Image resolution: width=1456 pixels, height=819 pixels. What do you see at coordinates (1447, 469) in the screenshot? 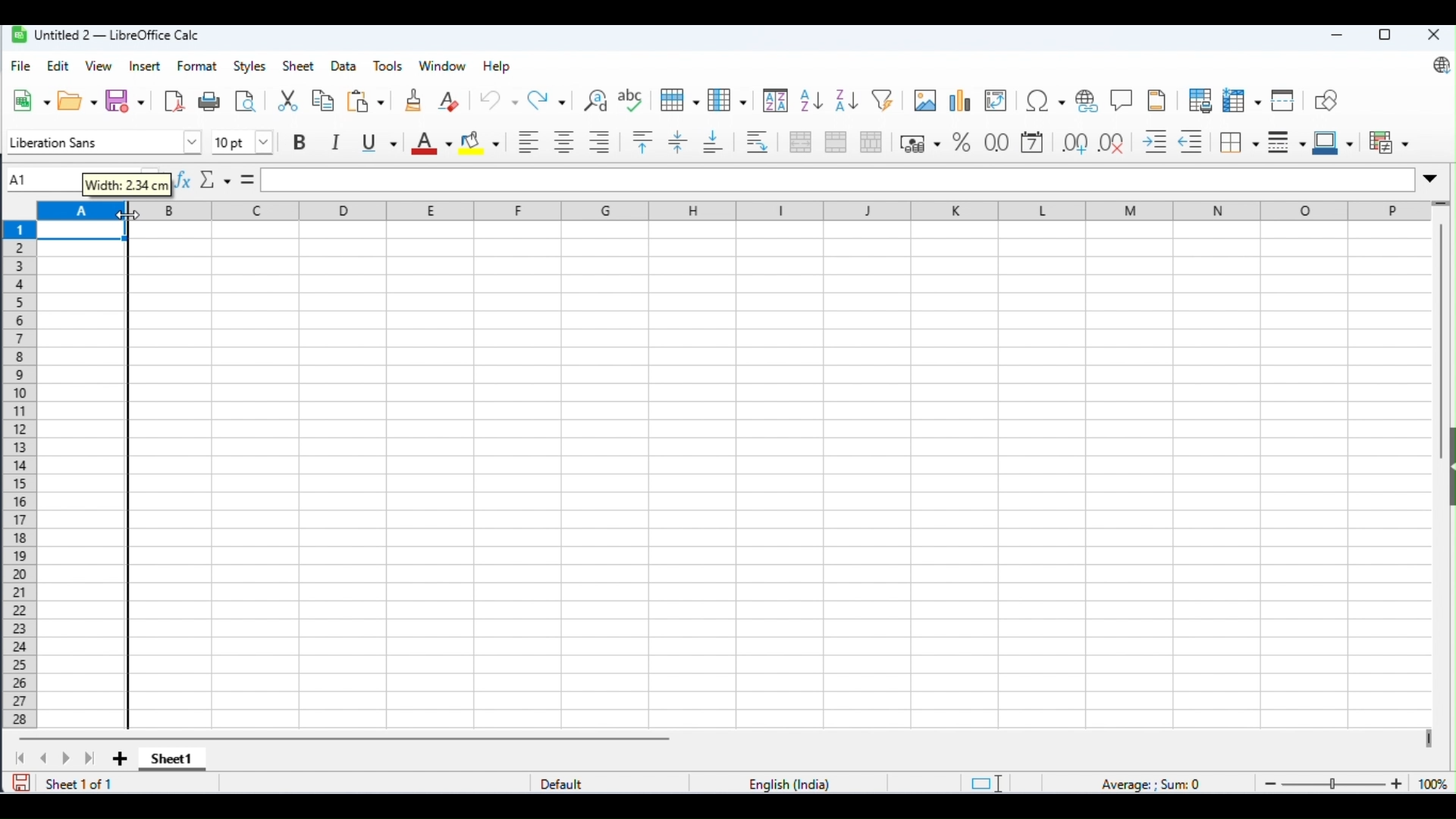
I see `hide` at bounding box center [1447, 469].